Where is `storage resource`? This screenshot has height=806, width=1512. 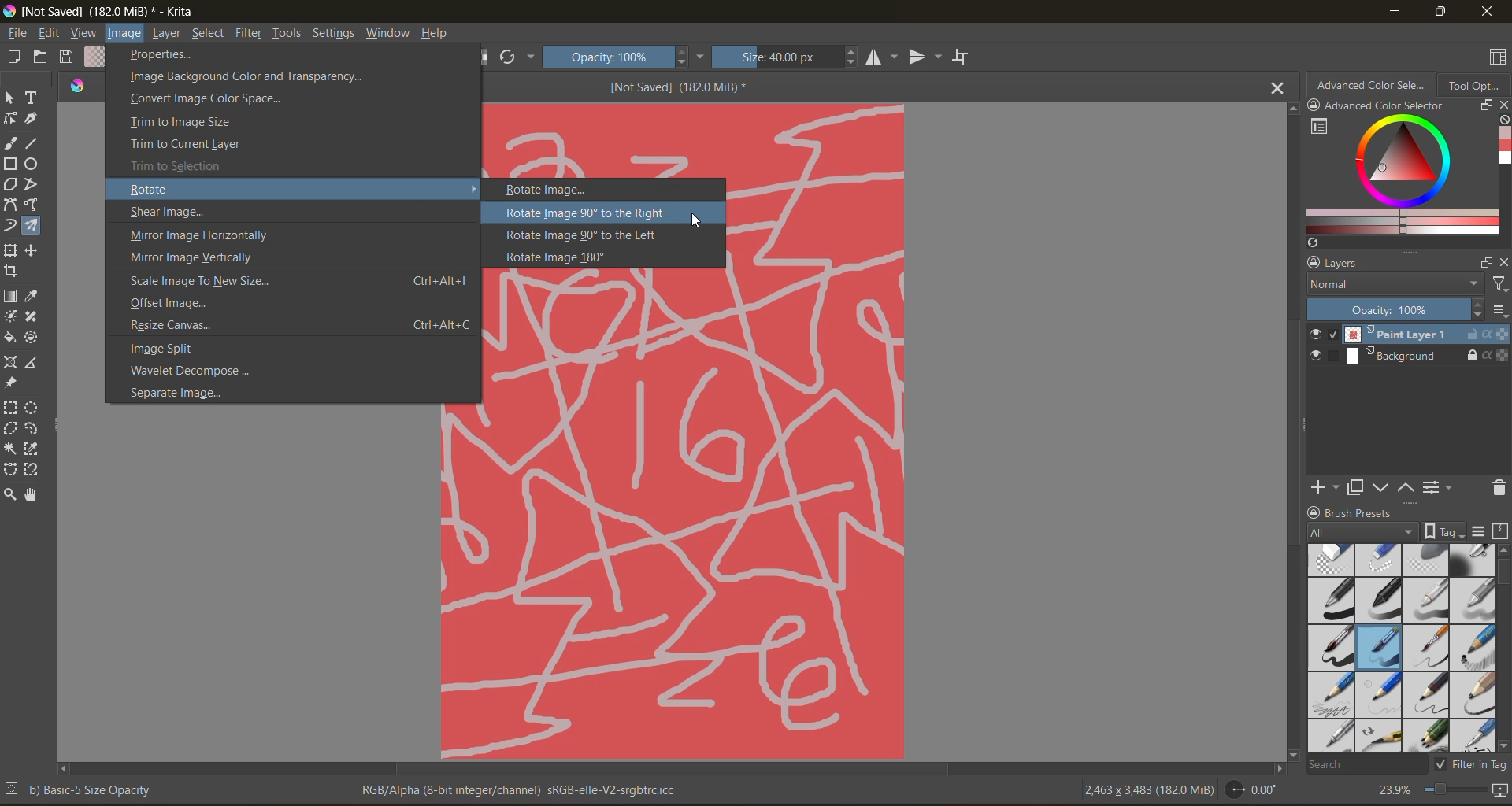 storage resource is located at coordinates (1499, 533).